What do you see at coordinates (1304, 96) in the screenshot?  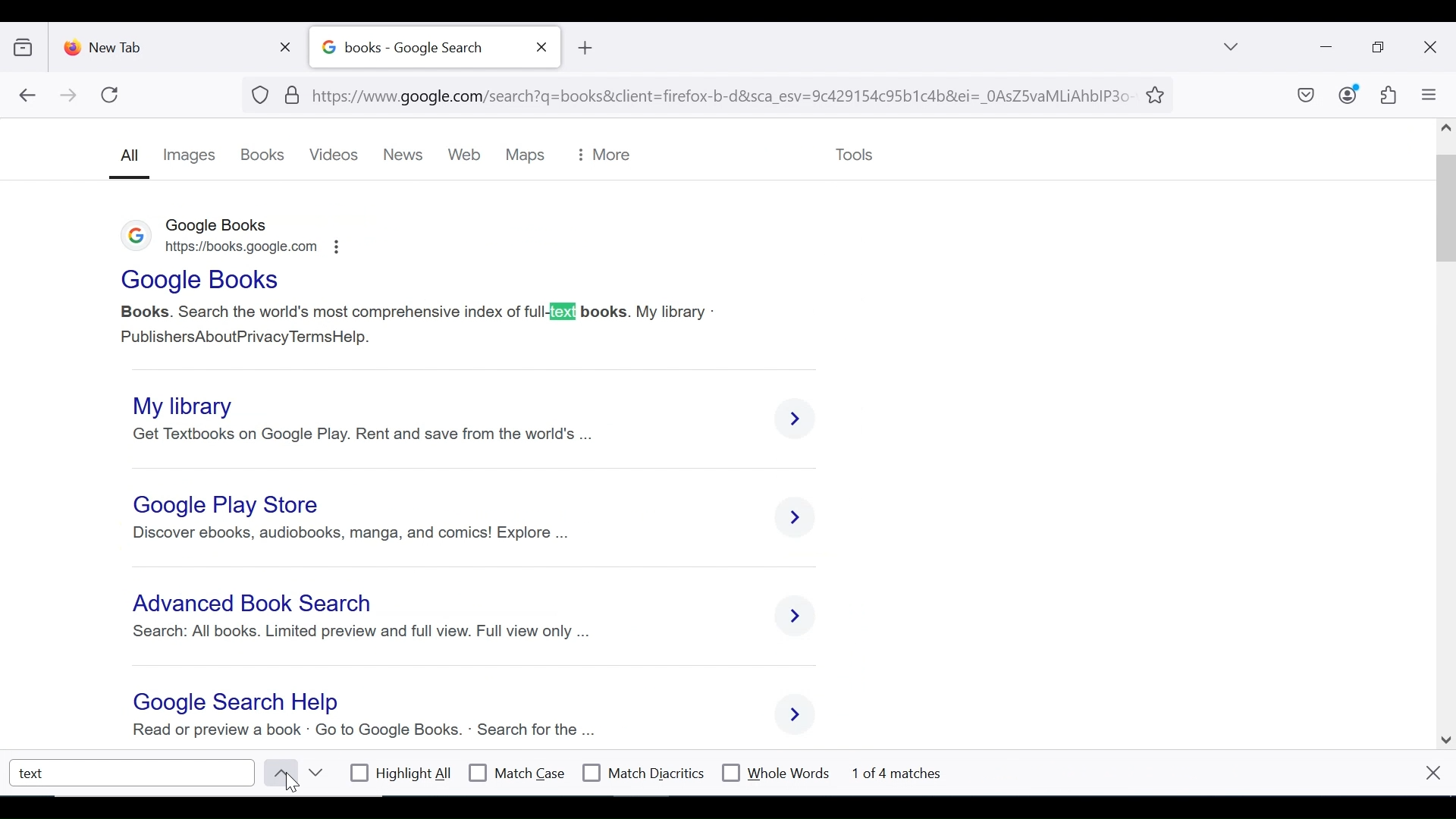 I see `save to pocket` at bounding box center [1304, 96].